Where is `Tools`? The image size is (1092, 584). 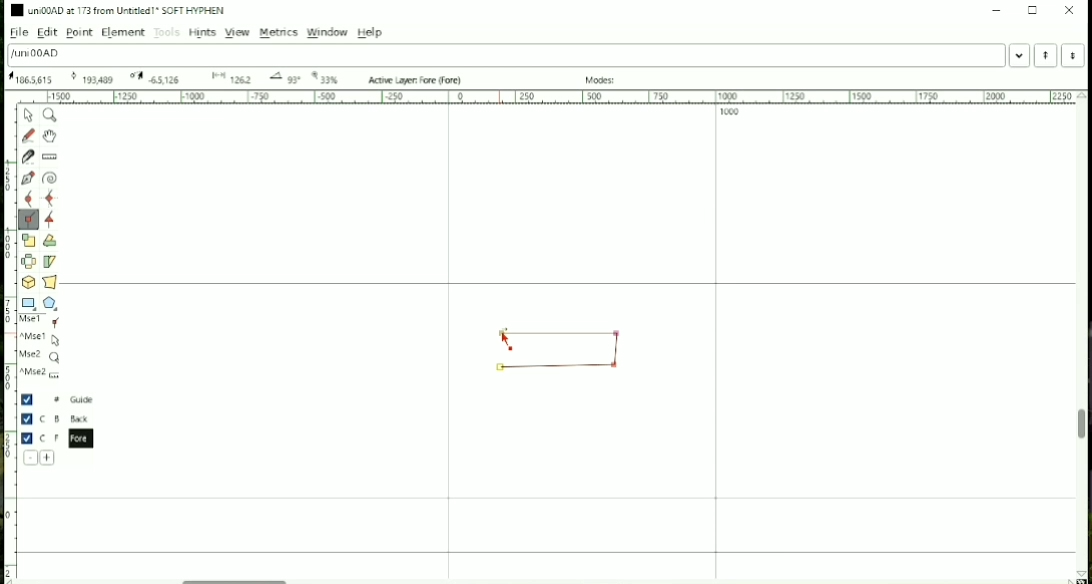 Tools is located at coordinates (167, 33).